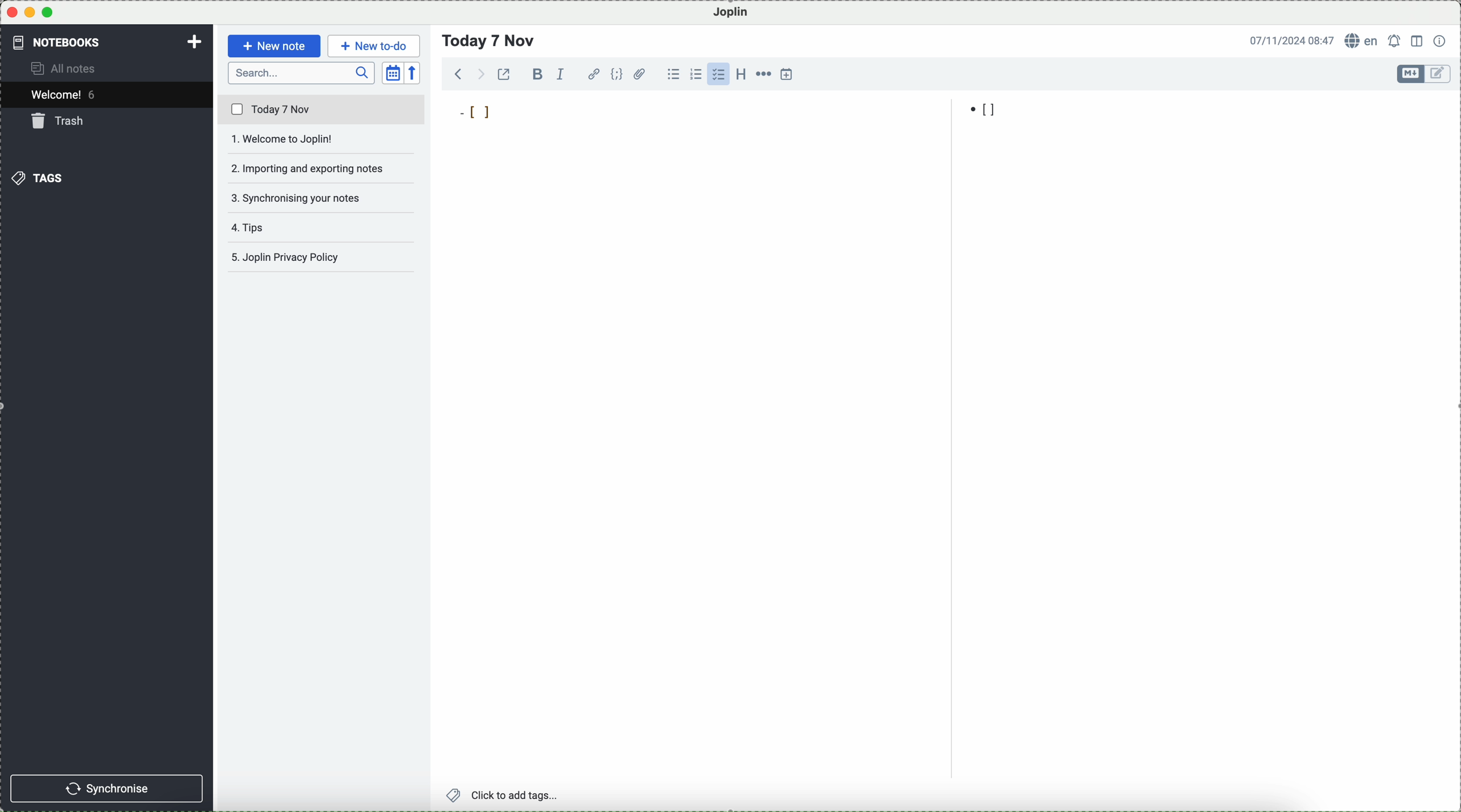 This screenshot has width=1461, height=812. What do you see at coordinates (504, 74) in the screenshot?
I see `toggle external editing` at bounding box center [504, 74].